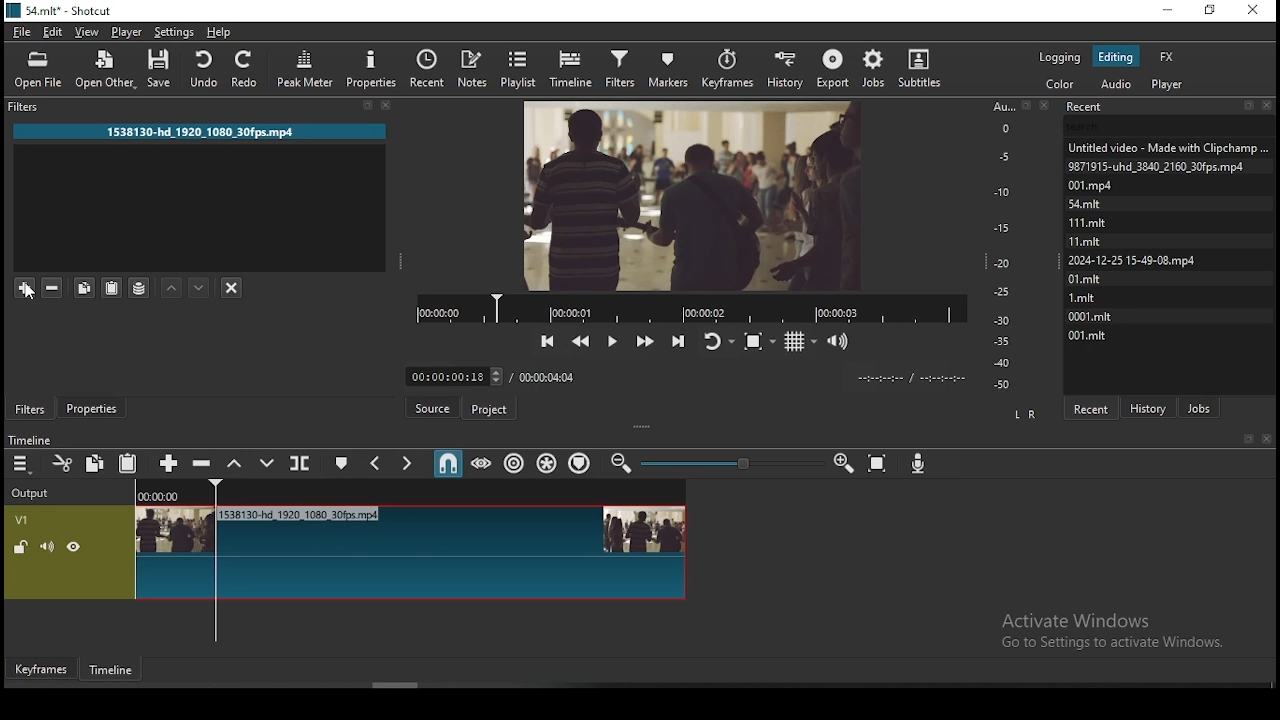 The width and height of the screenshot is (1280, 720). Describe the element at coordinates (300, 462) in the screenshot. I see `split at playhead` at that location.